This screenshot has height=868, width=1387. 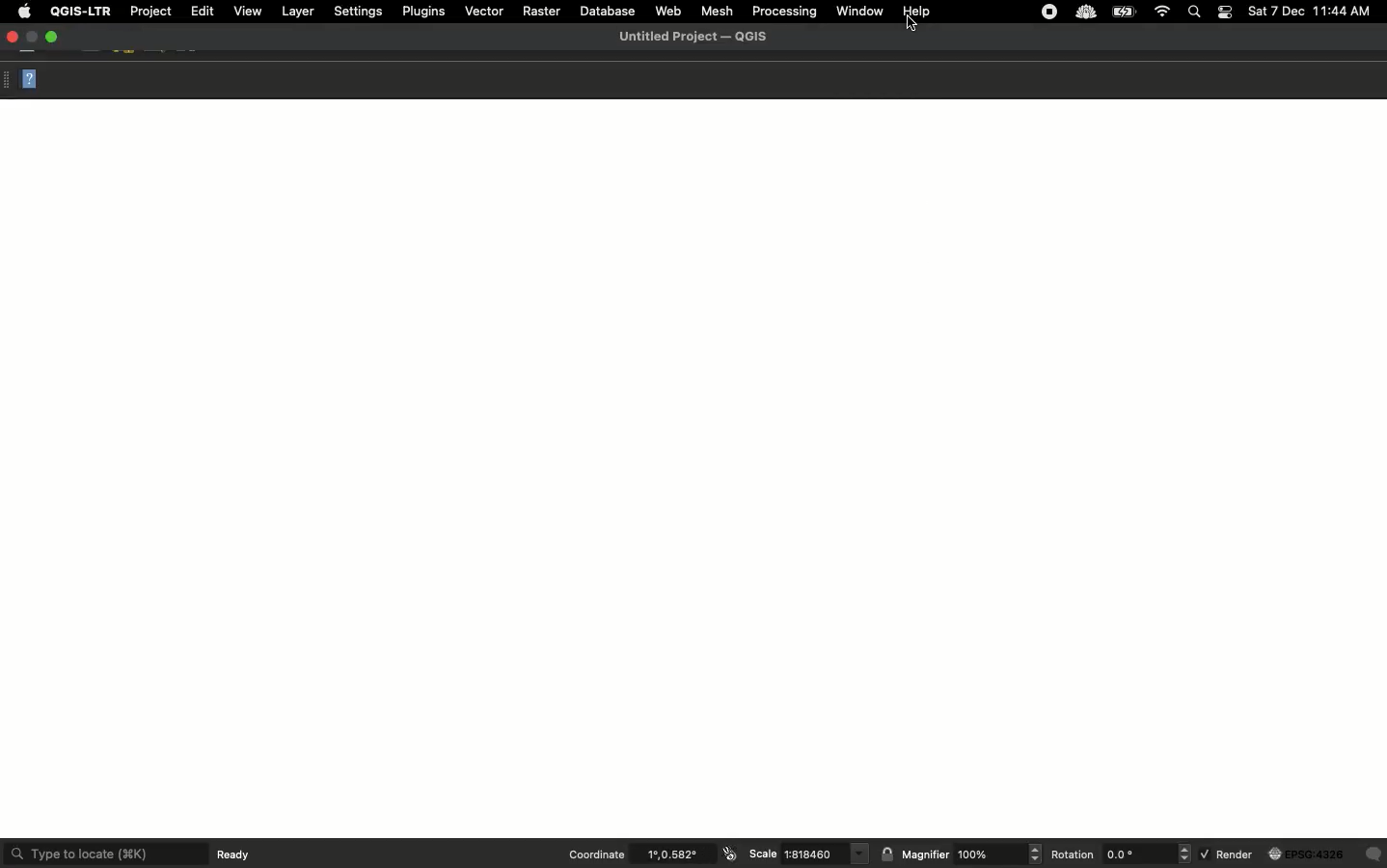 I want to click on Window, so click(x=859, y=11).